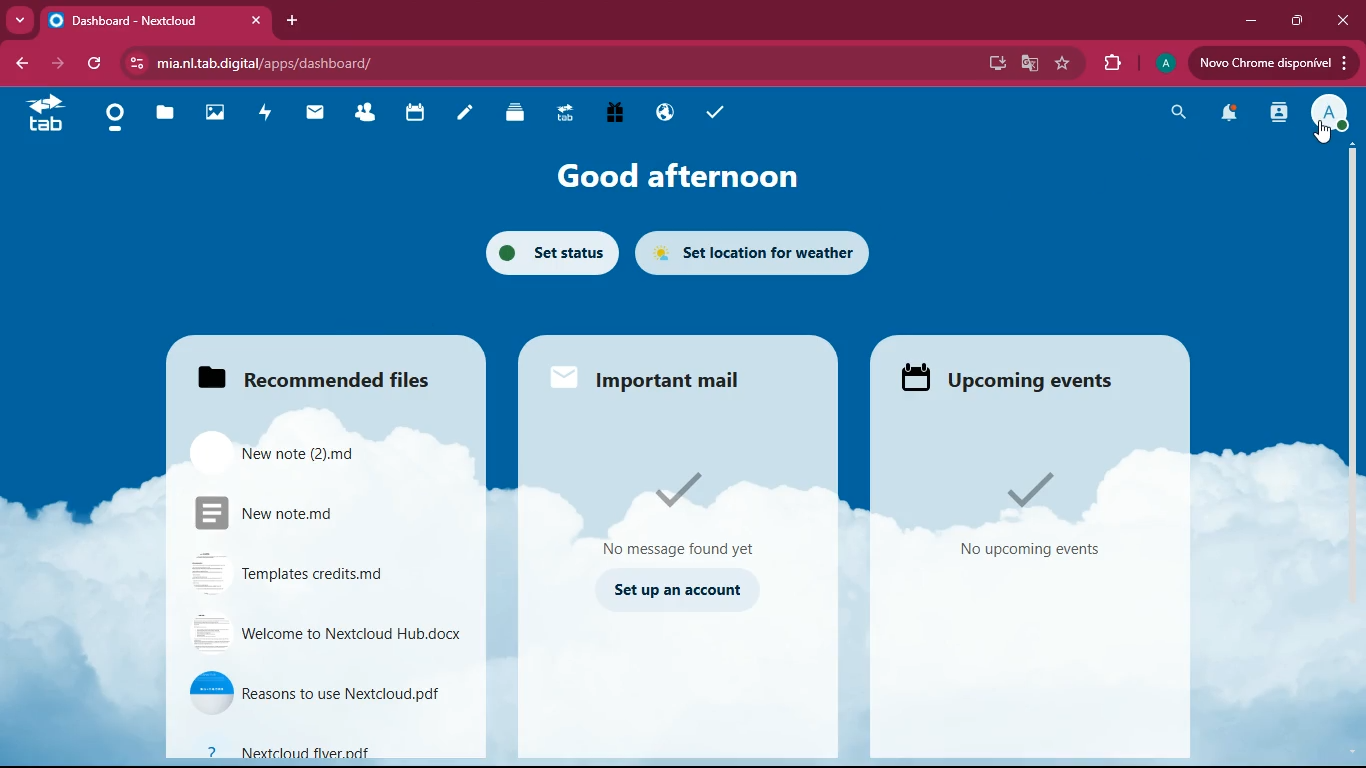  Describe the element at coordinates (471, 115) in the screenshot. I see `notes` at that location.